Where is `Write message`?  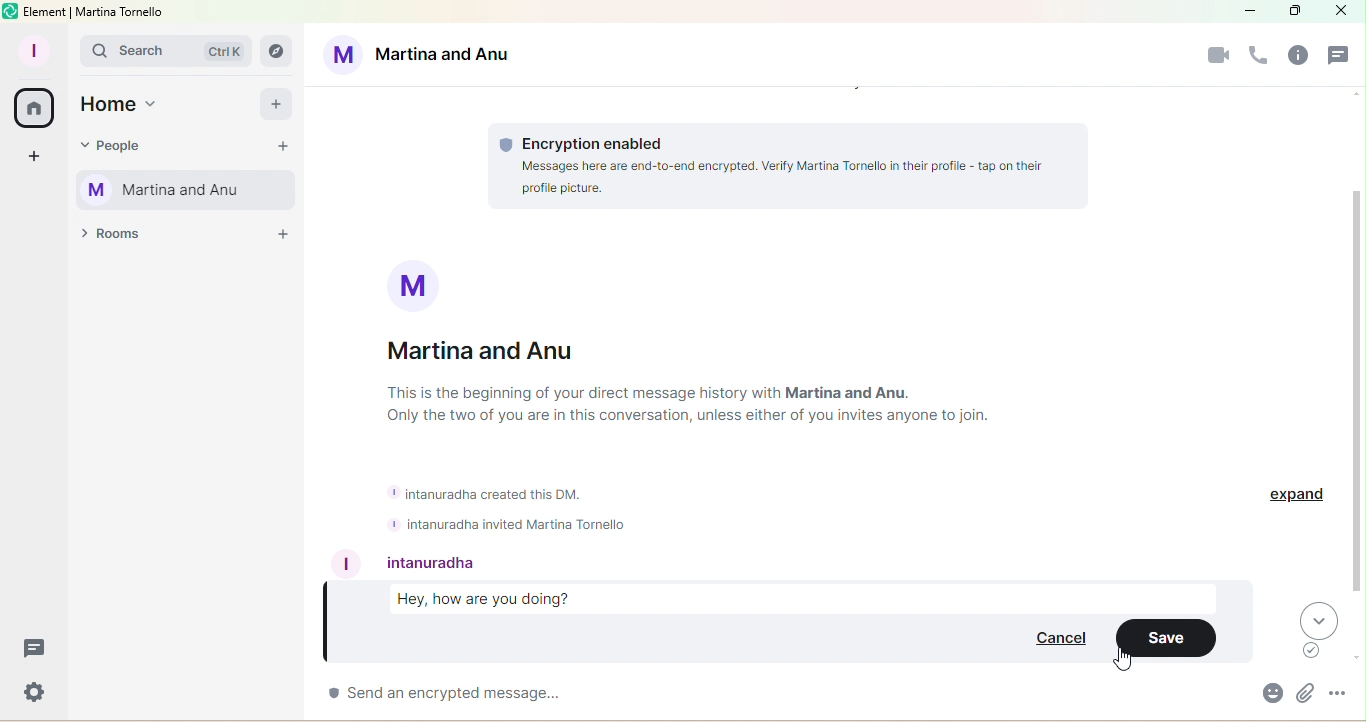
Write message is located at coordinates (769, 695).